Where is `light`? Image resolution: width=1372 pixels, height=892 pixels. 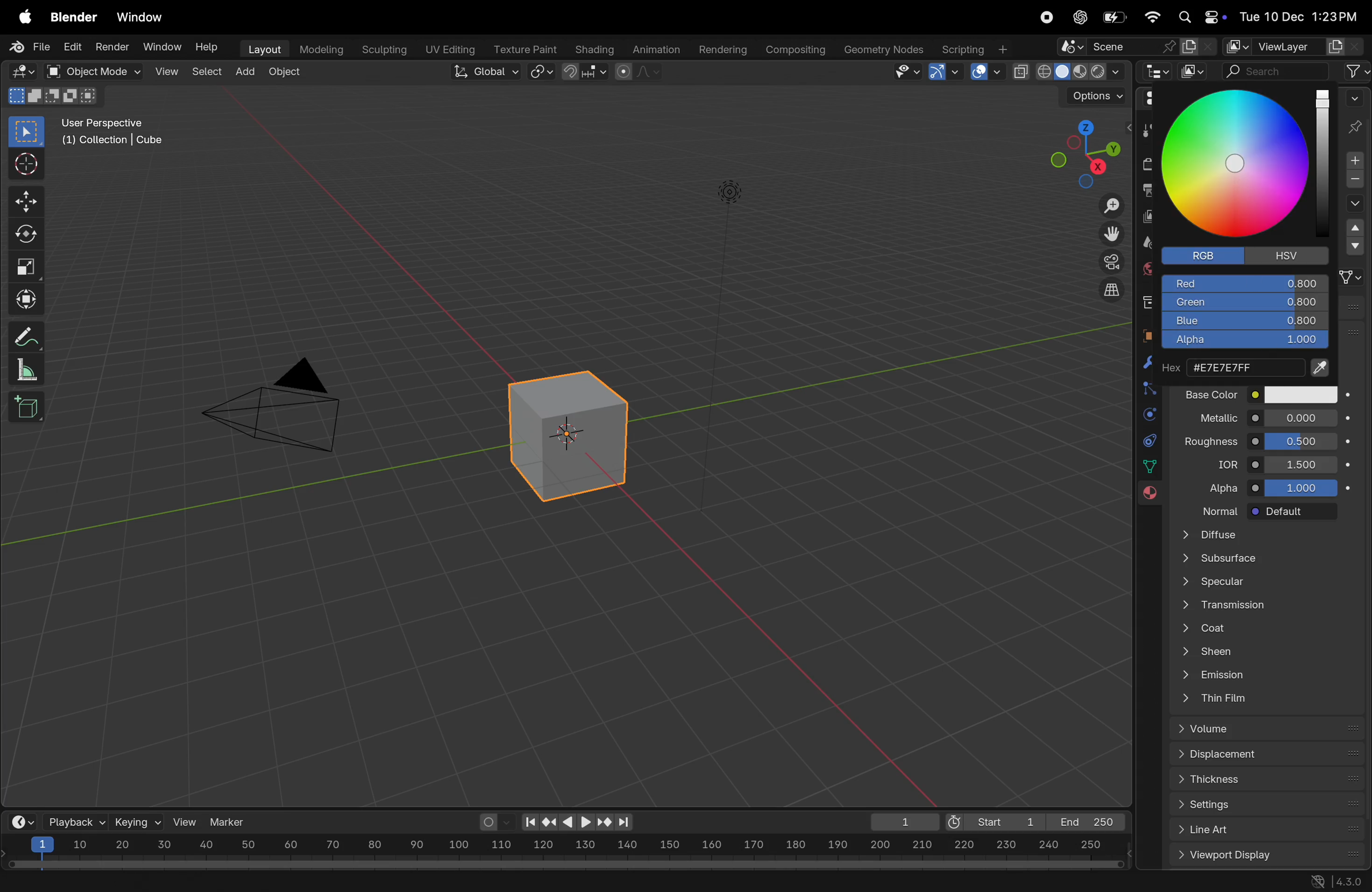
light is located at coordinates (730, 190).